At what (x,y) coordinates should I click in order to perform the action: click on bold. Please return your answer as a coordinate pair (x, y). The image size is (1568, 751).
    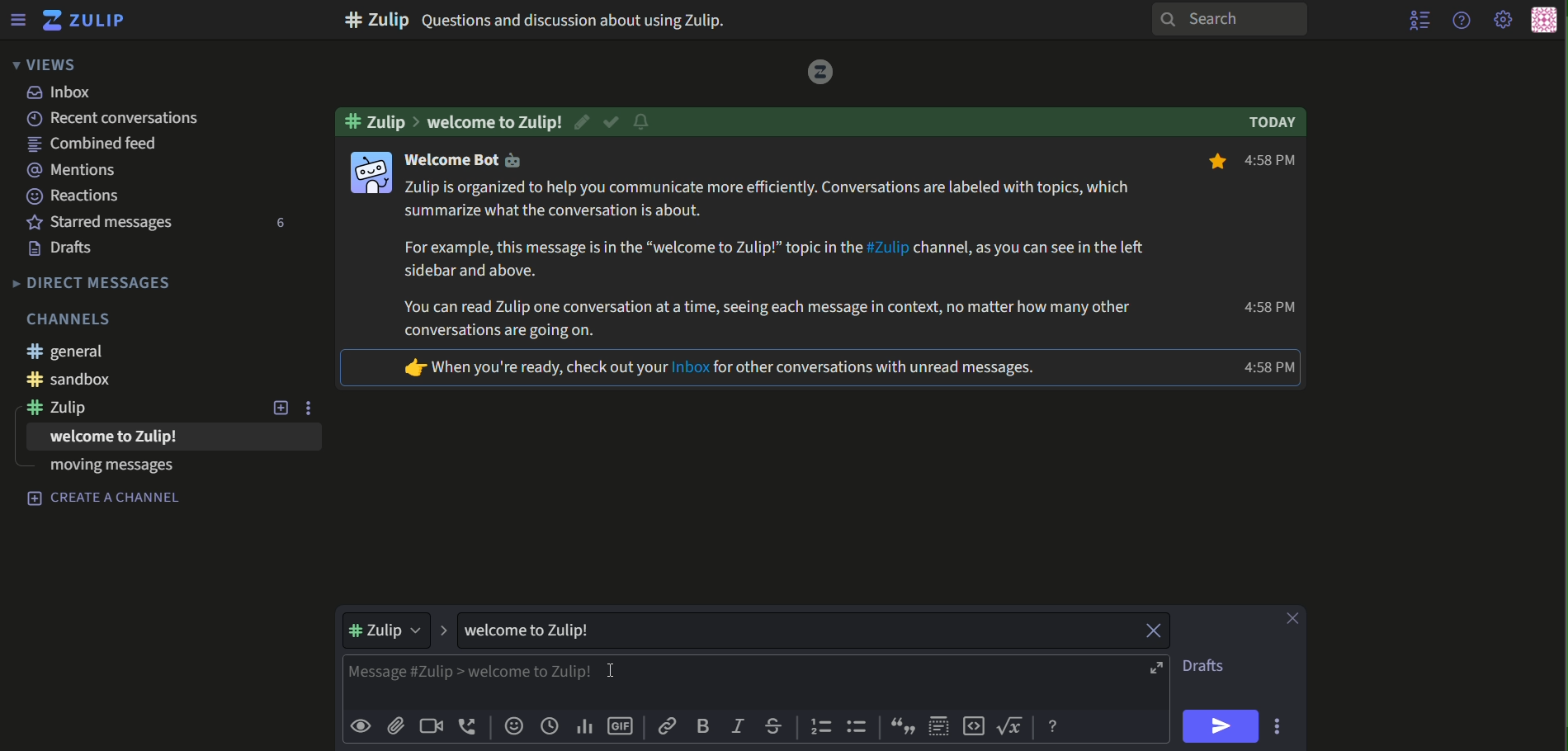
    Looking at the image, I should click on (705, 725).